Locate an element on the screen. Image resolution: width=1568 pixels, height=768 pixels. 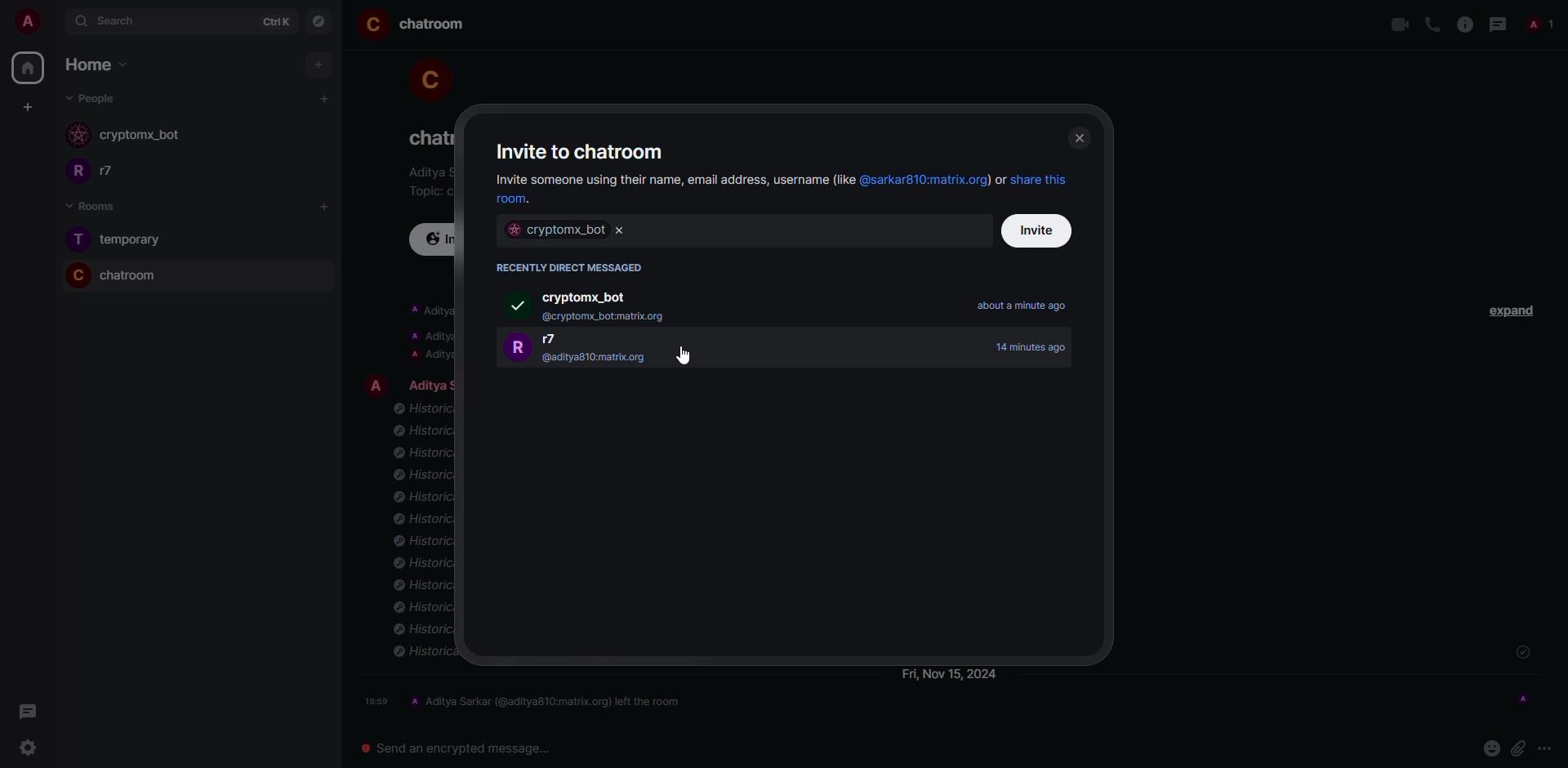
hyperlink is located at coordinates (523, 200).